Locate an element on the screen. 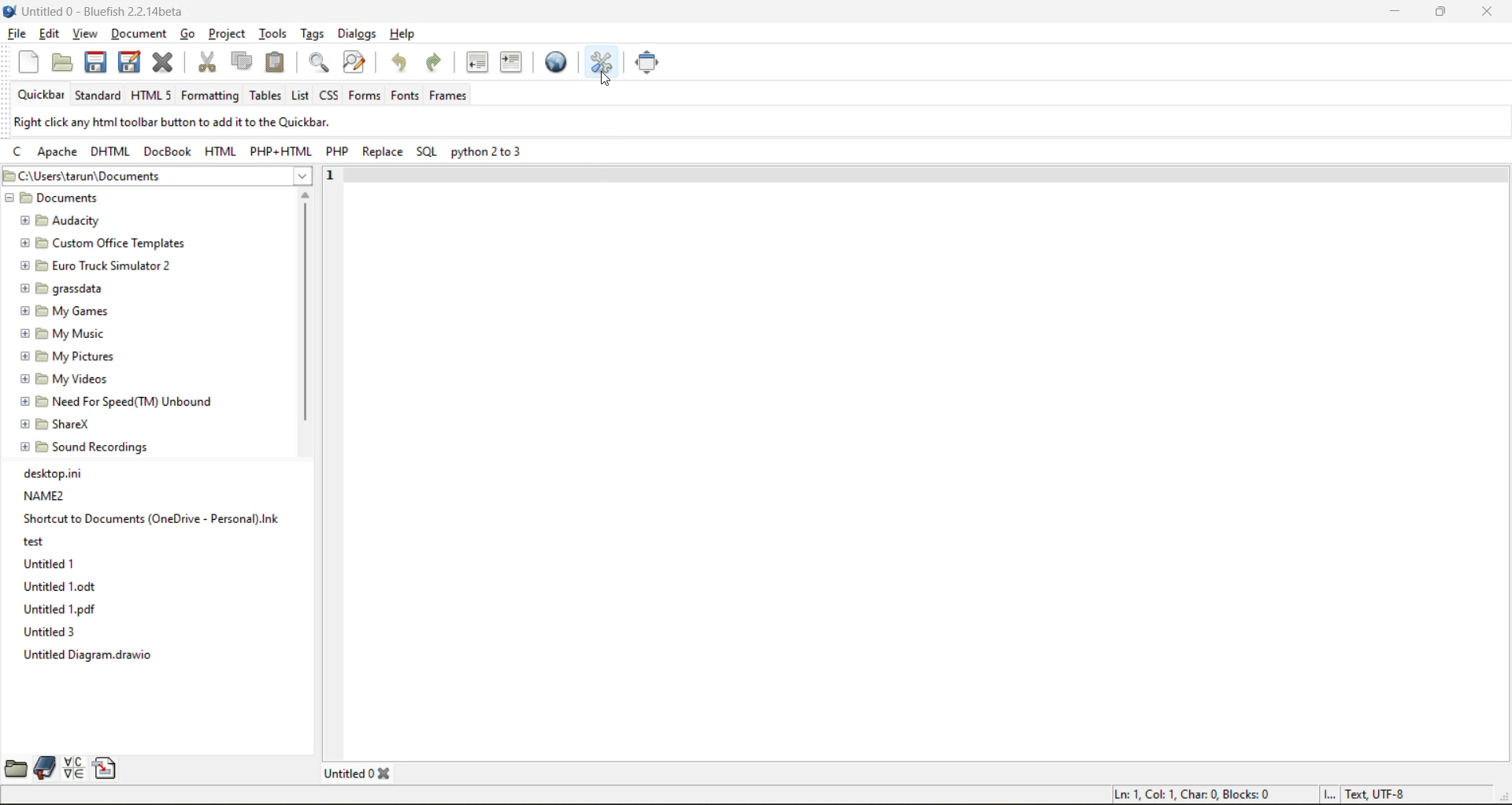 The width and height of the screenshot is (1512, 805). @ B My Videos is located at coordinates (65, 377).